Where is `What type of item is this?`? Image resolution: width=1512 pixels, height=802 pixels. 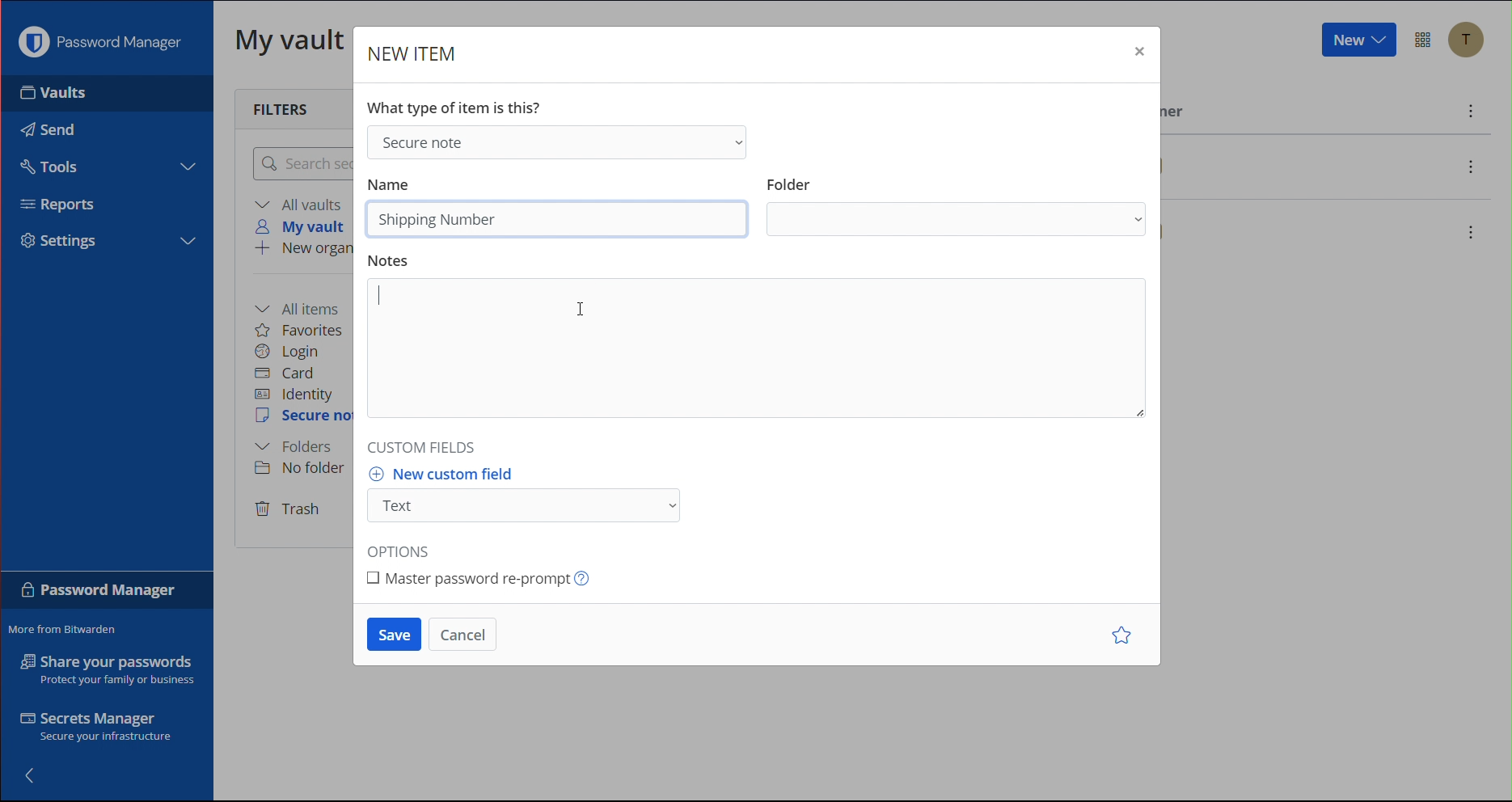
What type of item is this? is located at coordinates (458, 105).